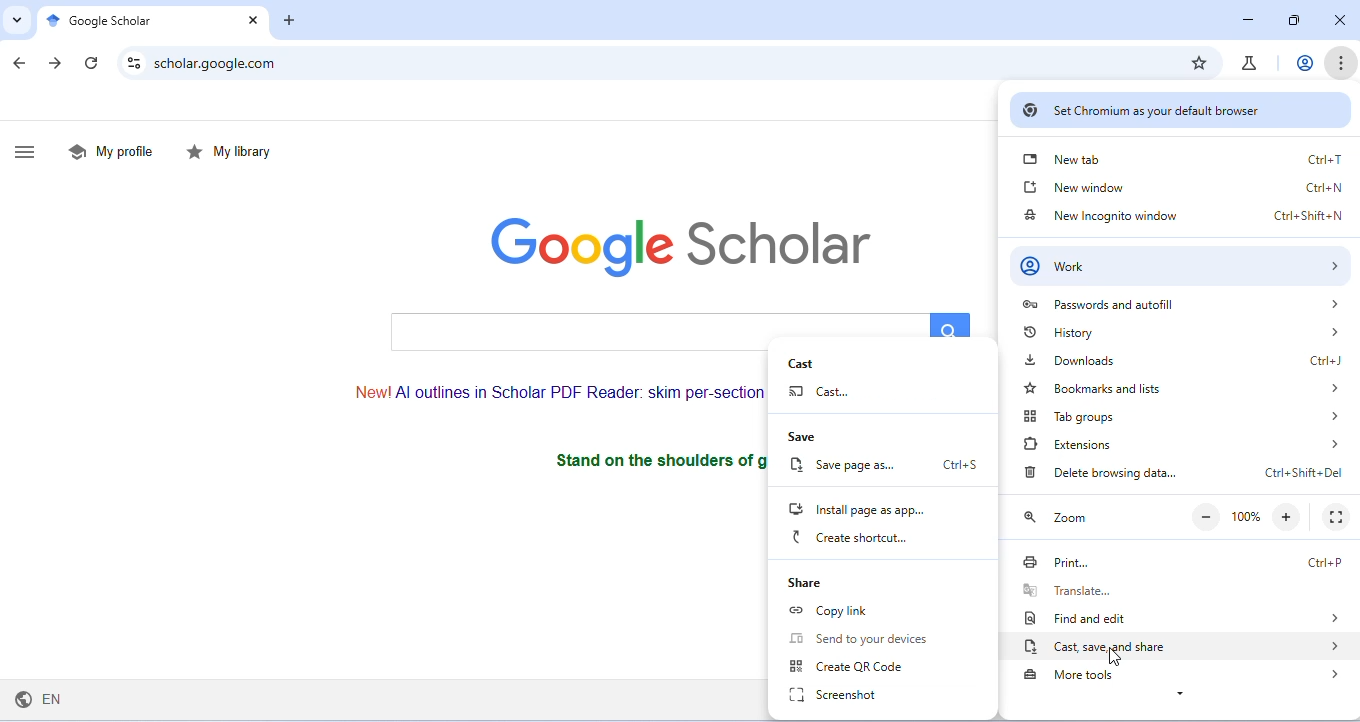 This screenshot has height=722, width=1360. I want to click on go forward, so click(56, 65).